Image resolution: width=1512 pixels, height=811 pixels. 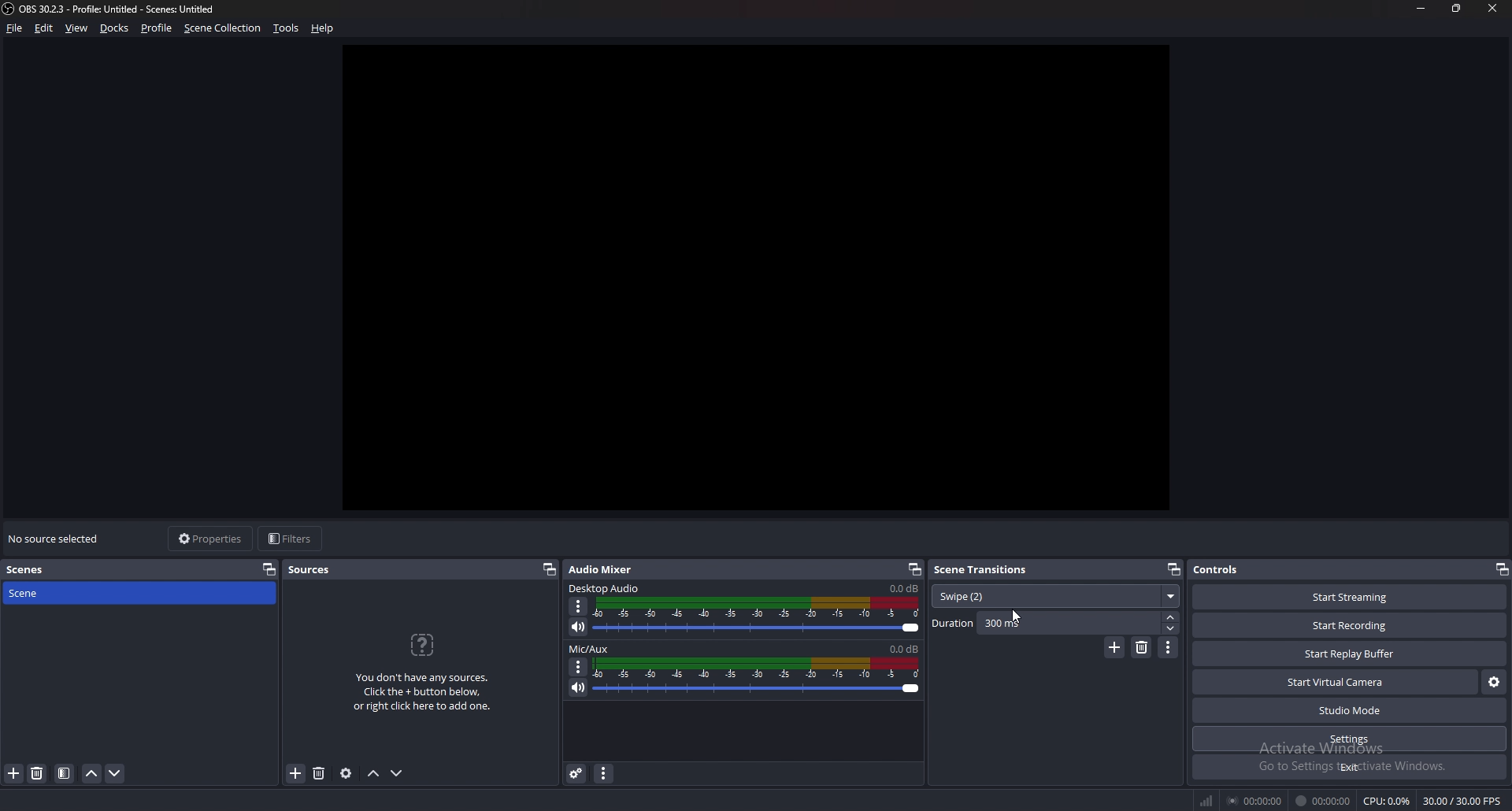 What do you see at coordinates (1501, 569) in the screenshot?
I see `pop out` at bounding box center [1501, 569].